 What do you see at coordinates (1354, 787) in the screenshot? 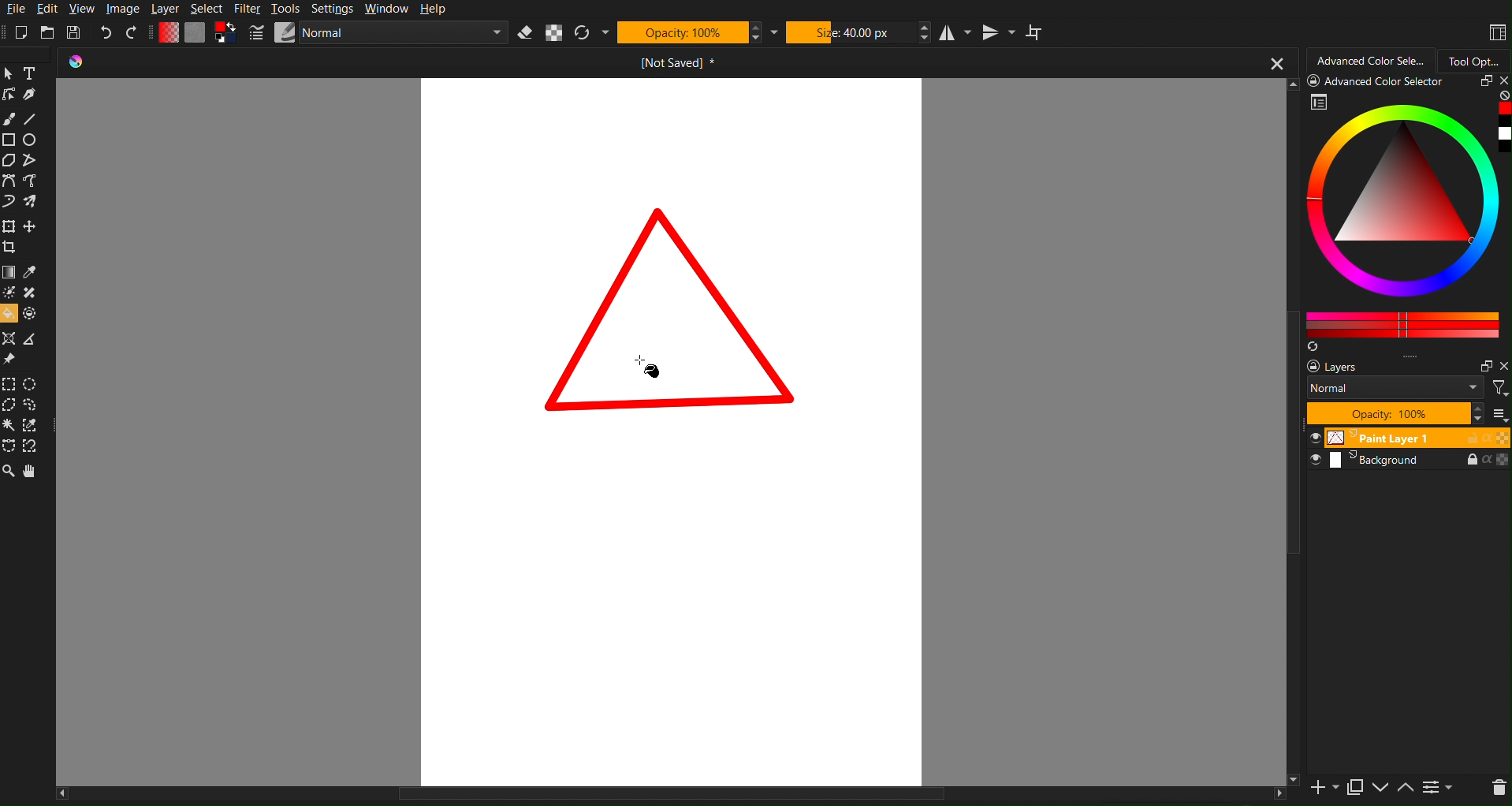
I see `duplicate layer or mask` at bounding box center [1354, 787].